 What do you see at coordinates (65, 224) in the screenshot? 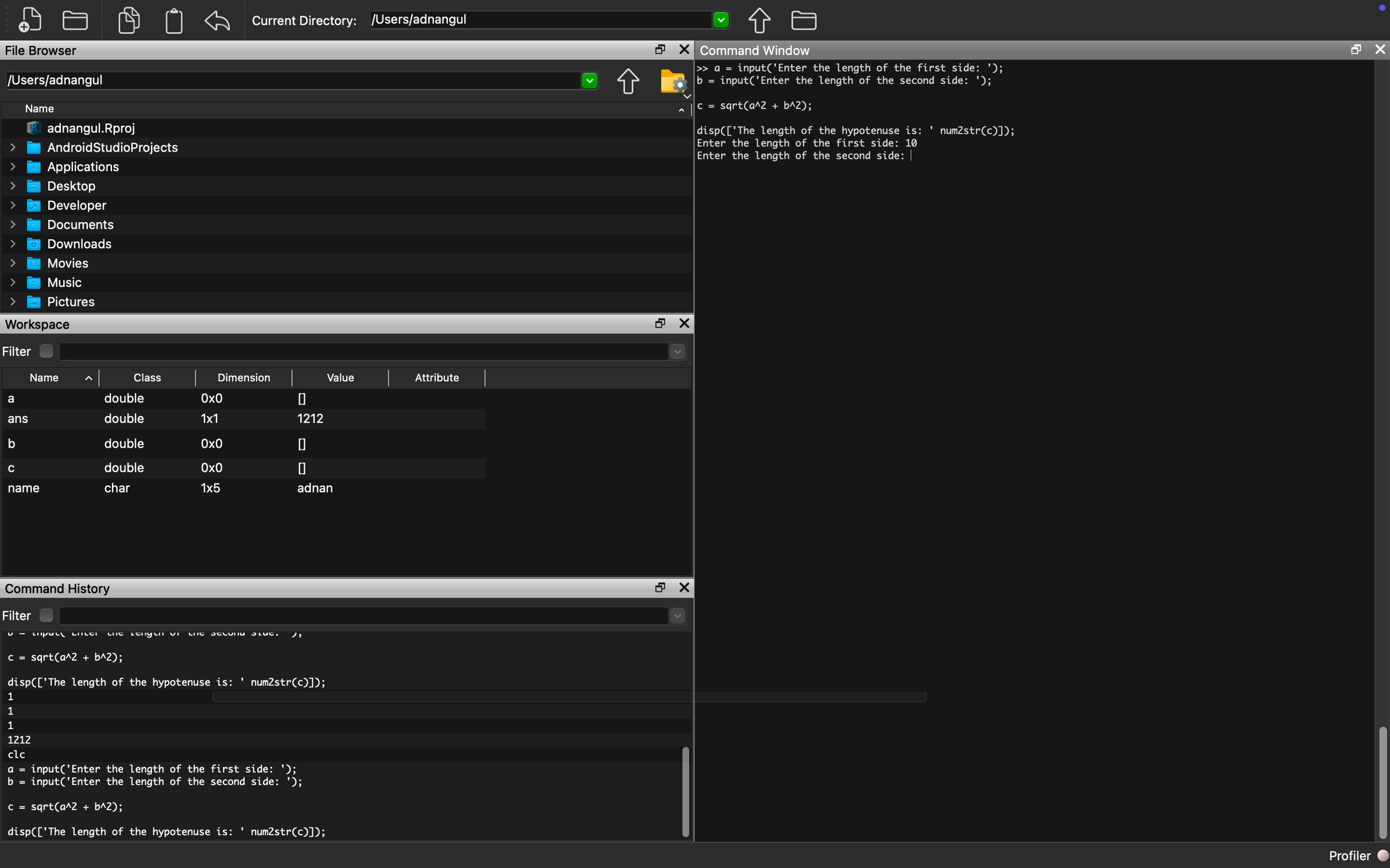
I see `Documents` at bounding box center [65, 224].